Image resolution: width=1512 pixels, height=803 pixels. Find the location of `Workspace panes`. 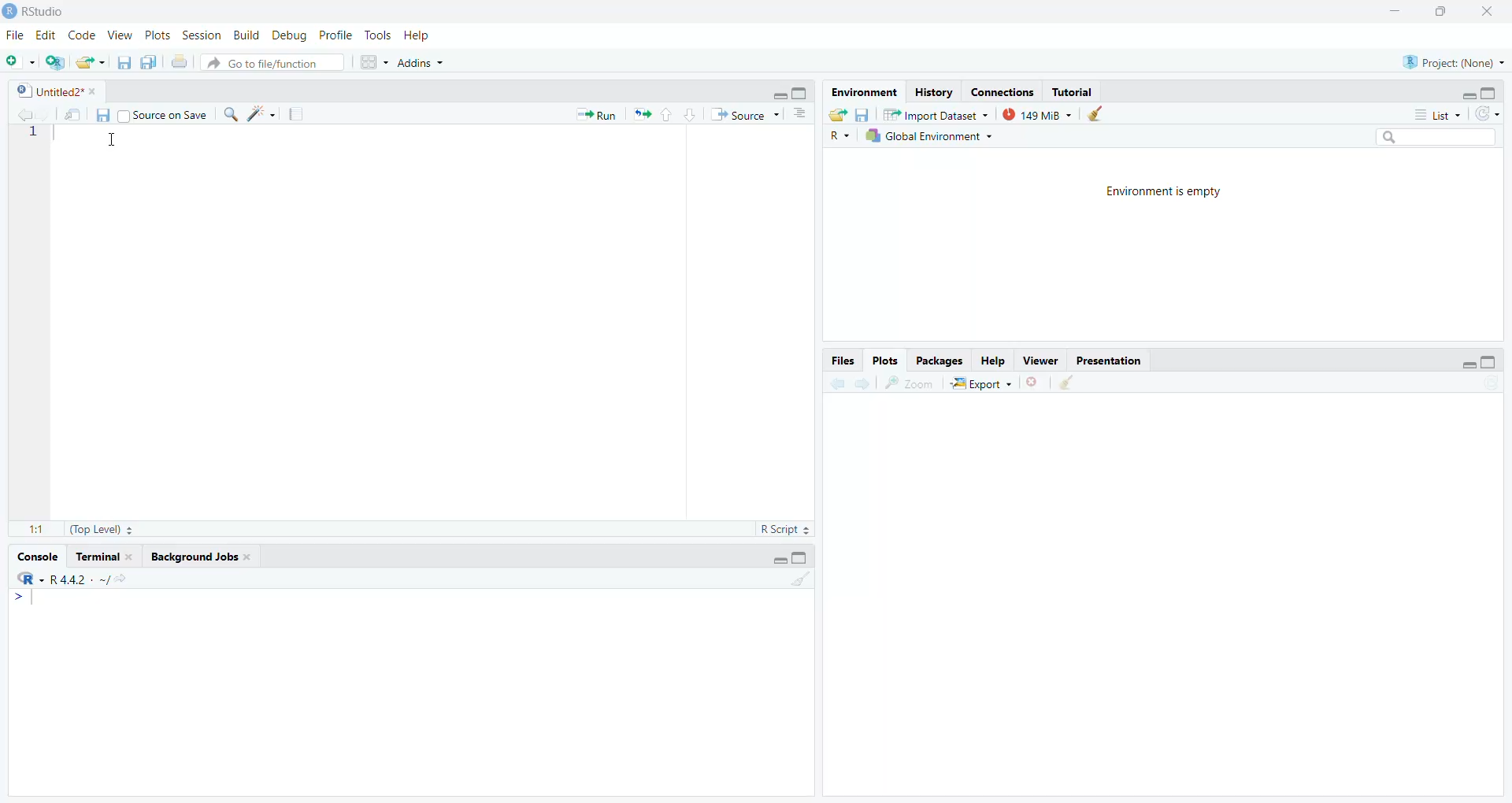

Workspace panes is located at coordinates (374, 61).